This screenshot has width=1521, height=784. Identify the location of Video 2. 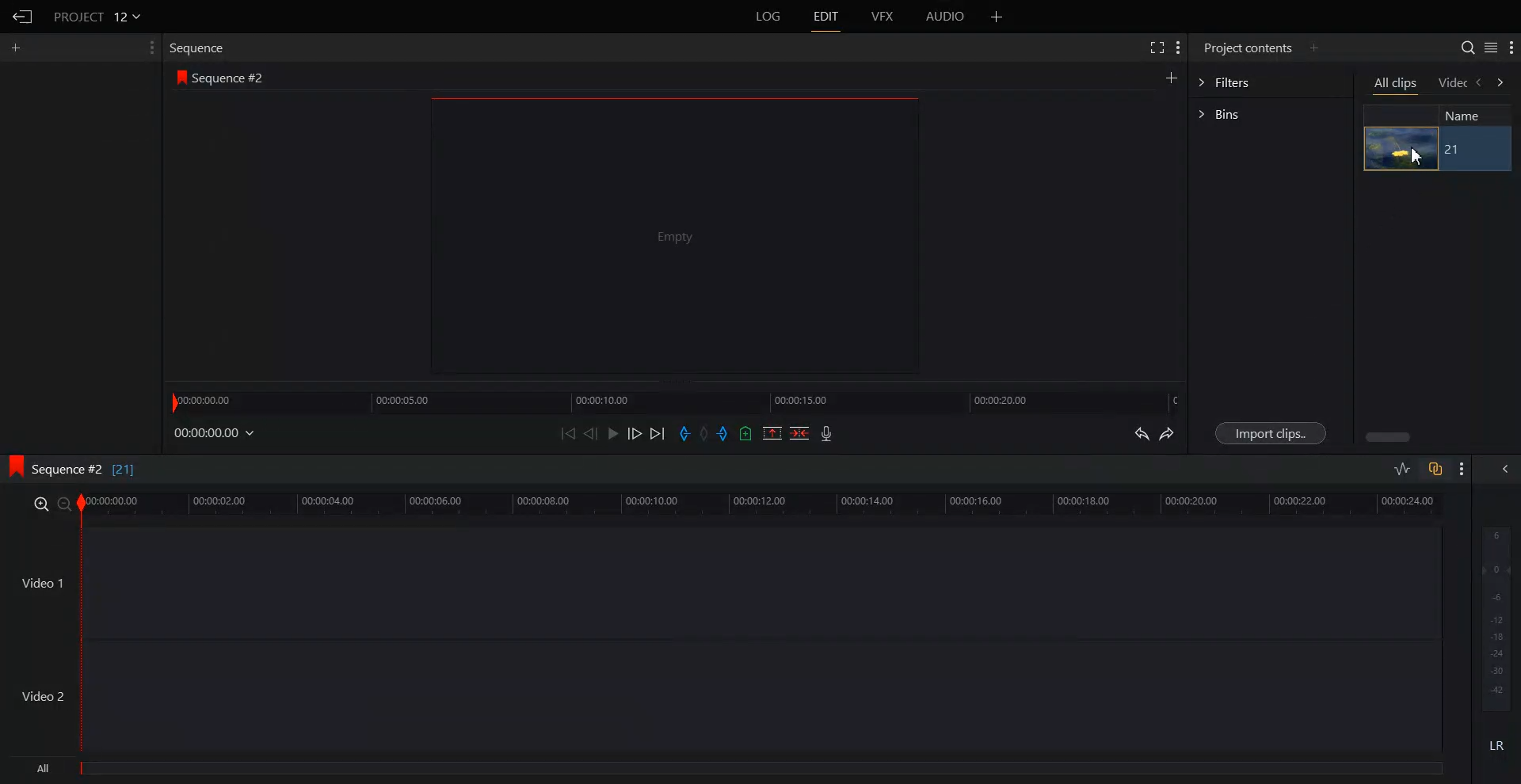
(44, 695).